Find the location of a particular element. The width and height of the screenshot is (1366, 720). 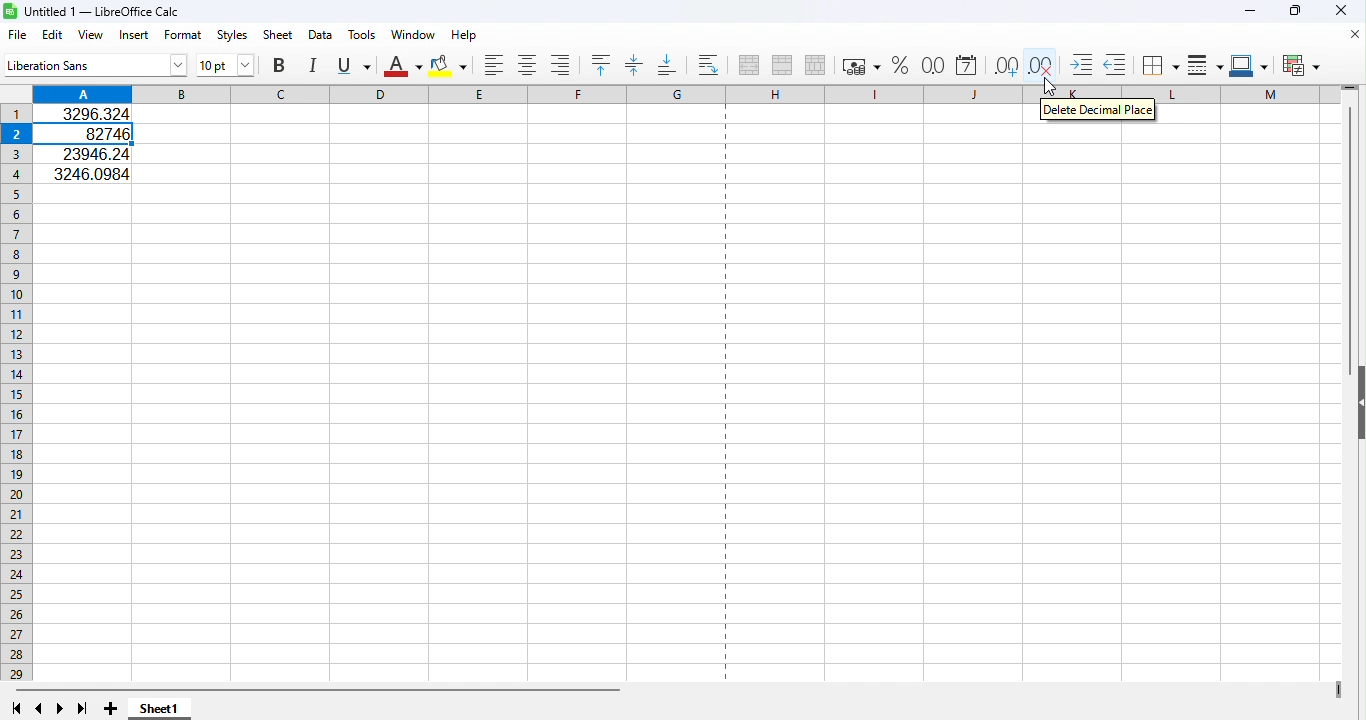

Delete Decimal Place is located at coordinates (1097, 111).